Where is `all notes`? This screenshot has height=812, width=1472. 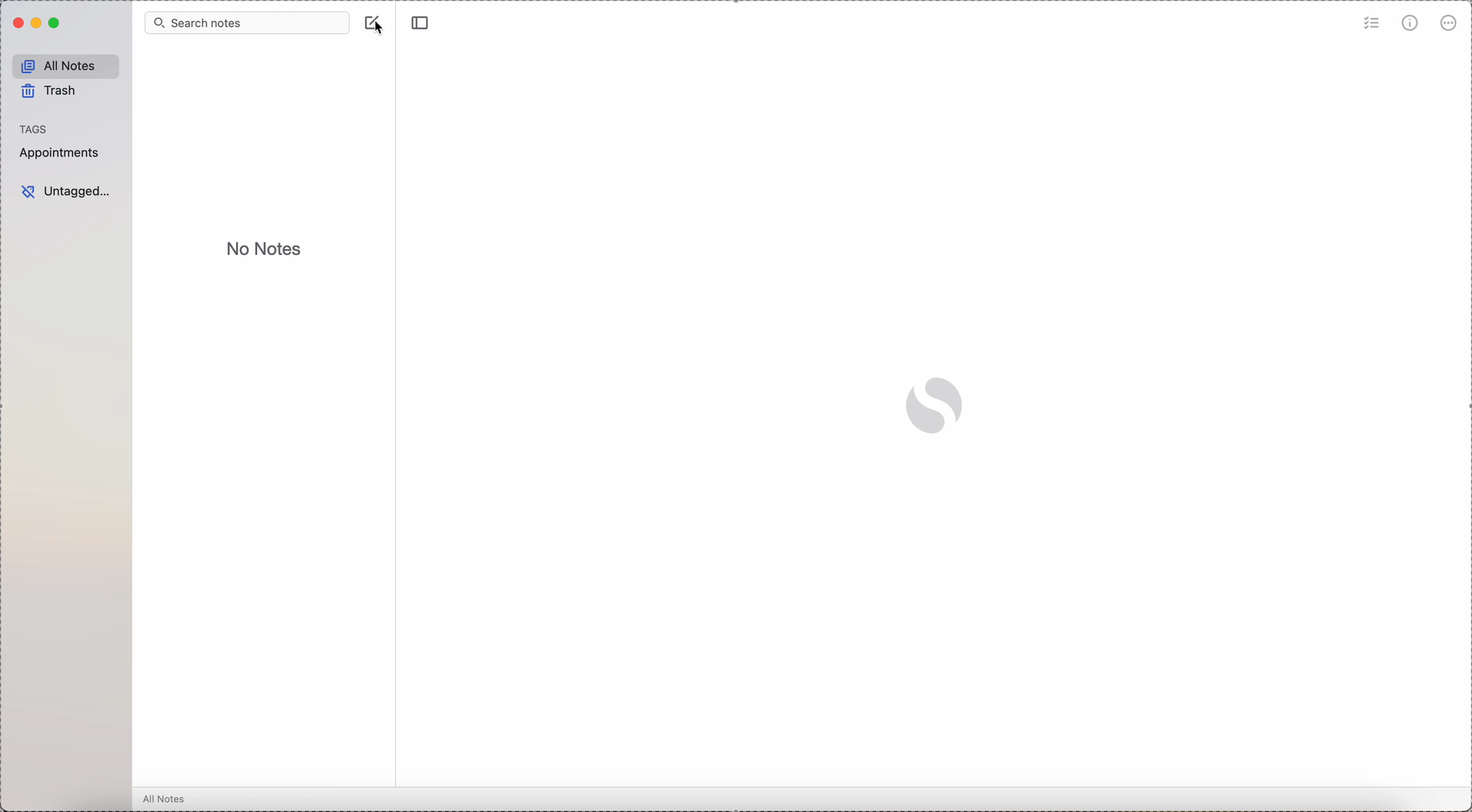
all notes is located at coordinates (165, 799).